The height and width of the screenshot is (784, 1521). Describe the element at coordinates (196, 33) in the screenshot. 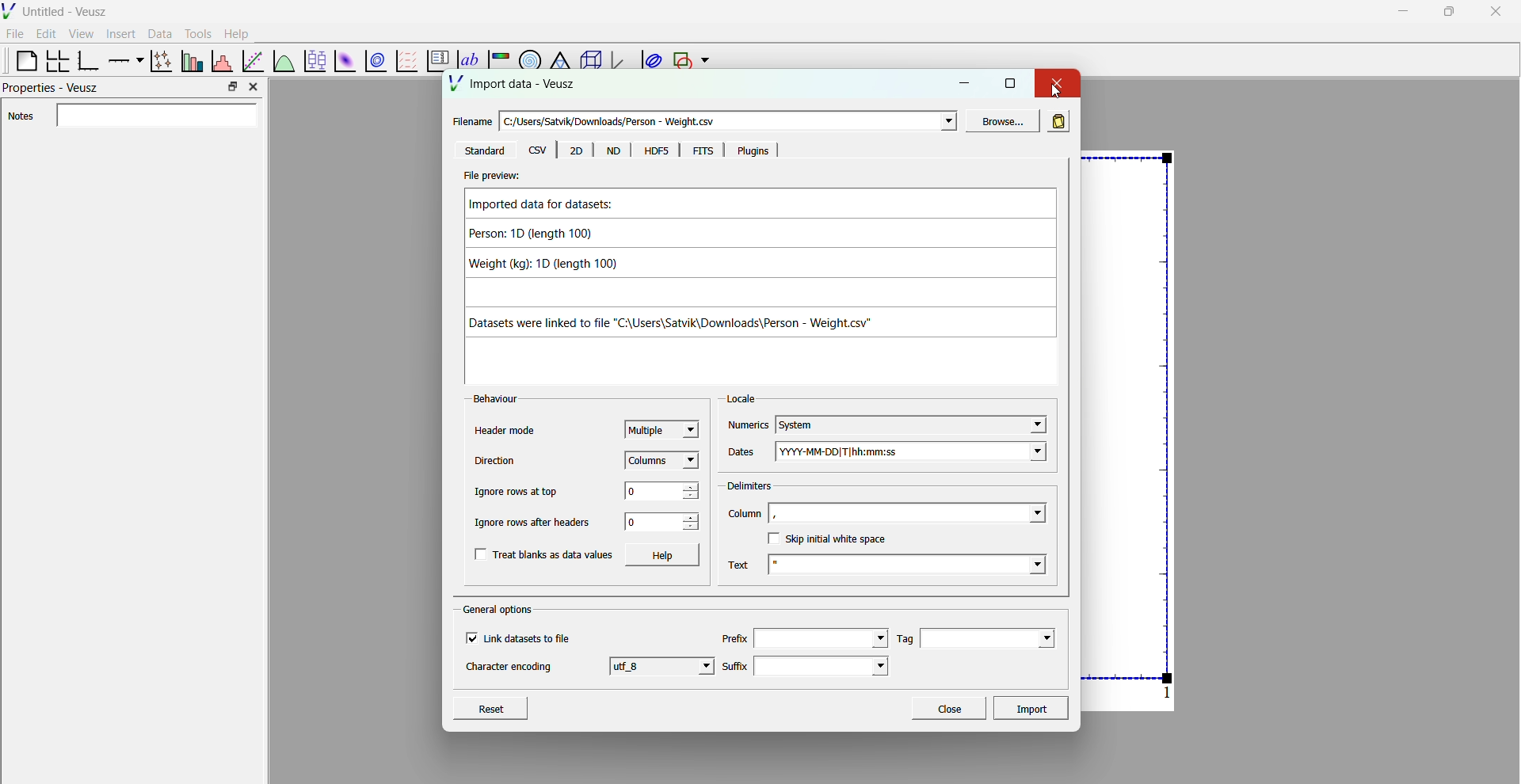

I see `tools` at that location.